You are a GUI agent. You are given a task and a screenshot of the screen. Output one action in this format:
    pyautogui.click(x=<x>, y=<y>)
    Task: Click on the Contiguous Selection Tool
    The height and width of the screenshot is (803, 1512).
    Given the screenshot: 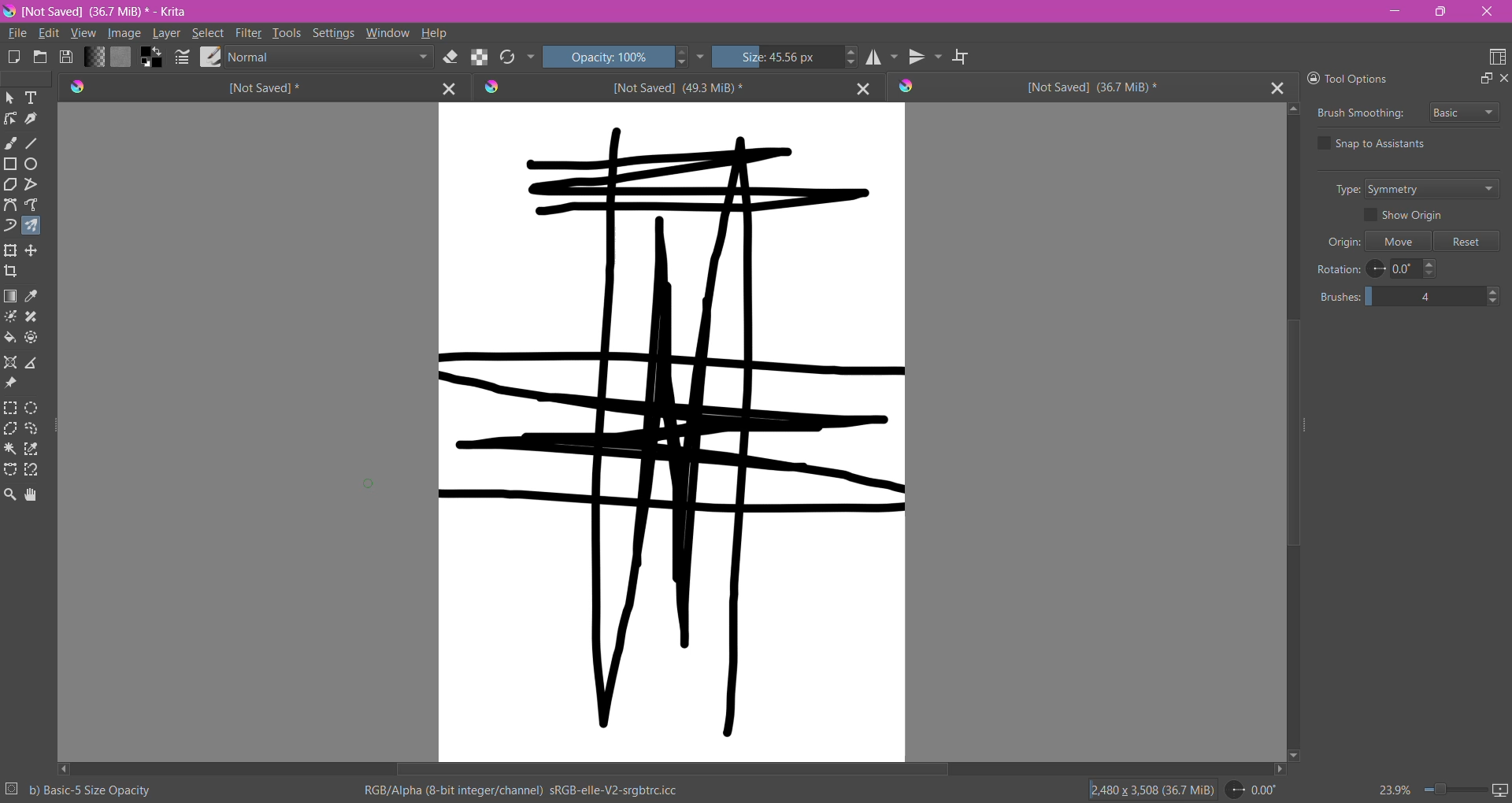 What is the action you would take?
    pyautogui.click(x=12, y=450)
    